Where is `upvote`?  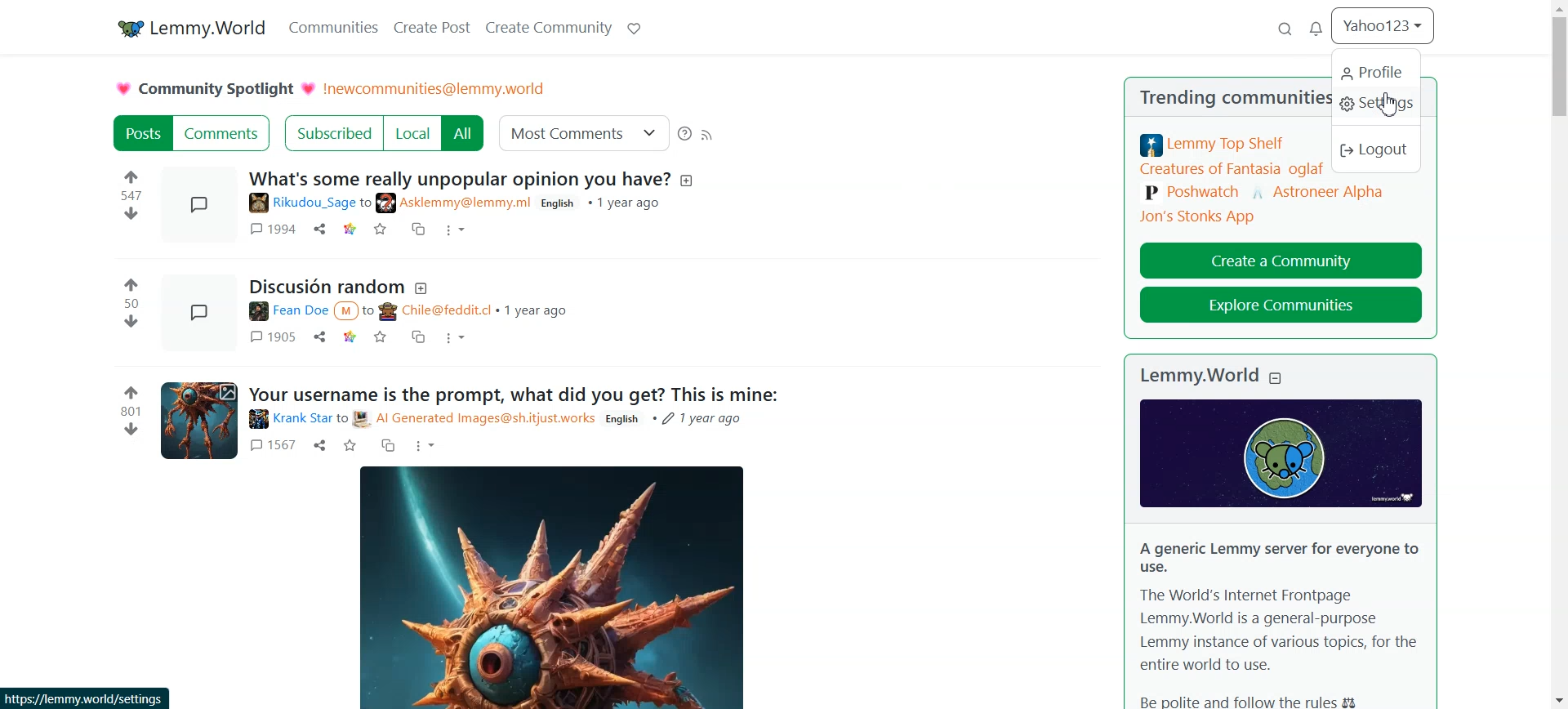 upvote is located at coordinates (129, 393).